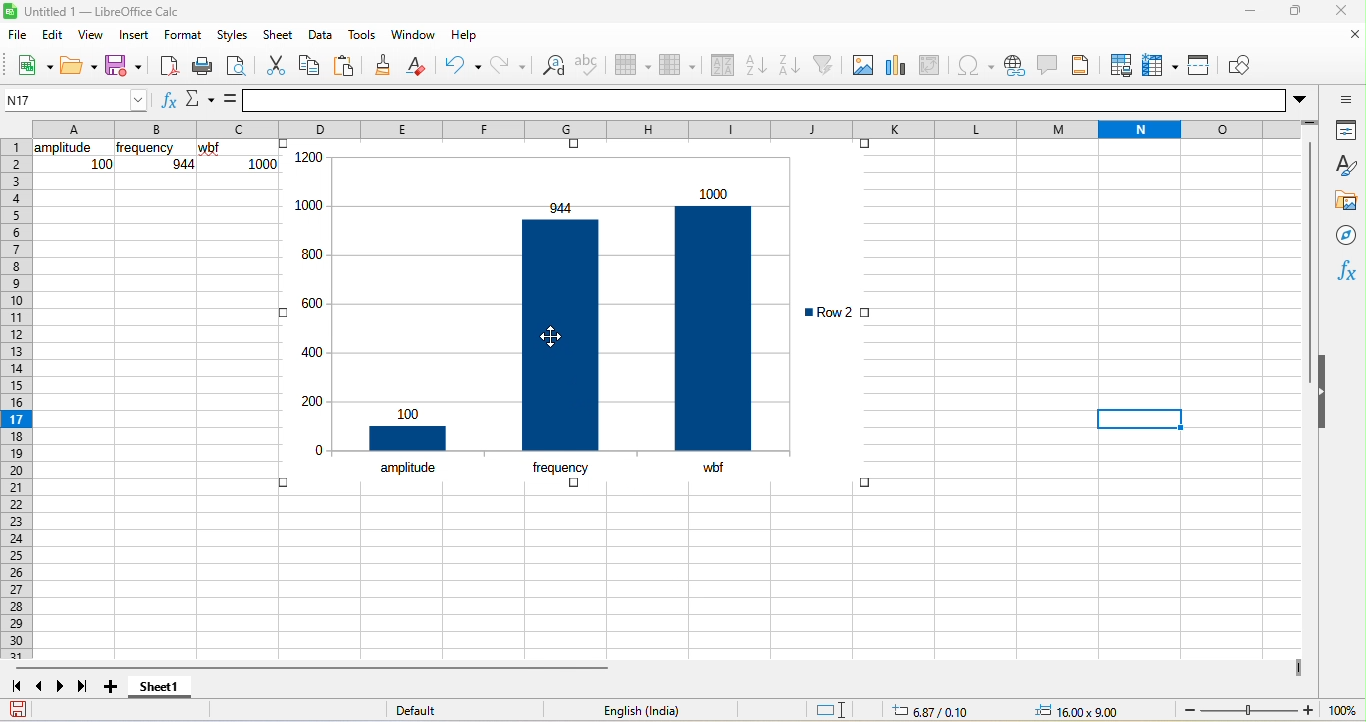 Image resolution: width=1366 pixels, height=722 pixels. Describe the element at coordinates (932, 64) in the screenshot. I see `edit pivot table` at that location.